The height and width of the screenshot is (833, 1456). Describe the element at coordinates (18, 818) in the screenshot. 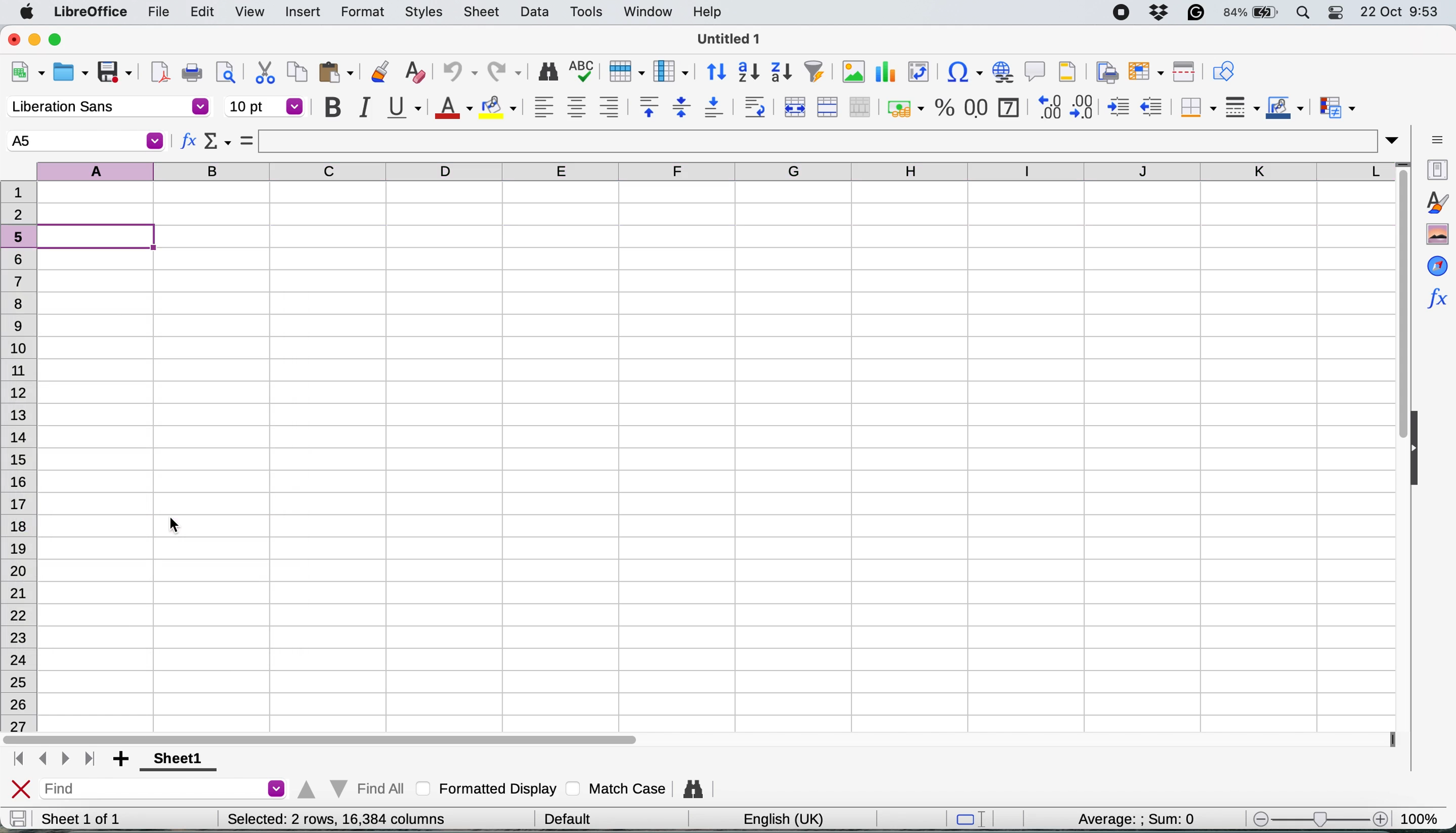

I see `save` at that location.